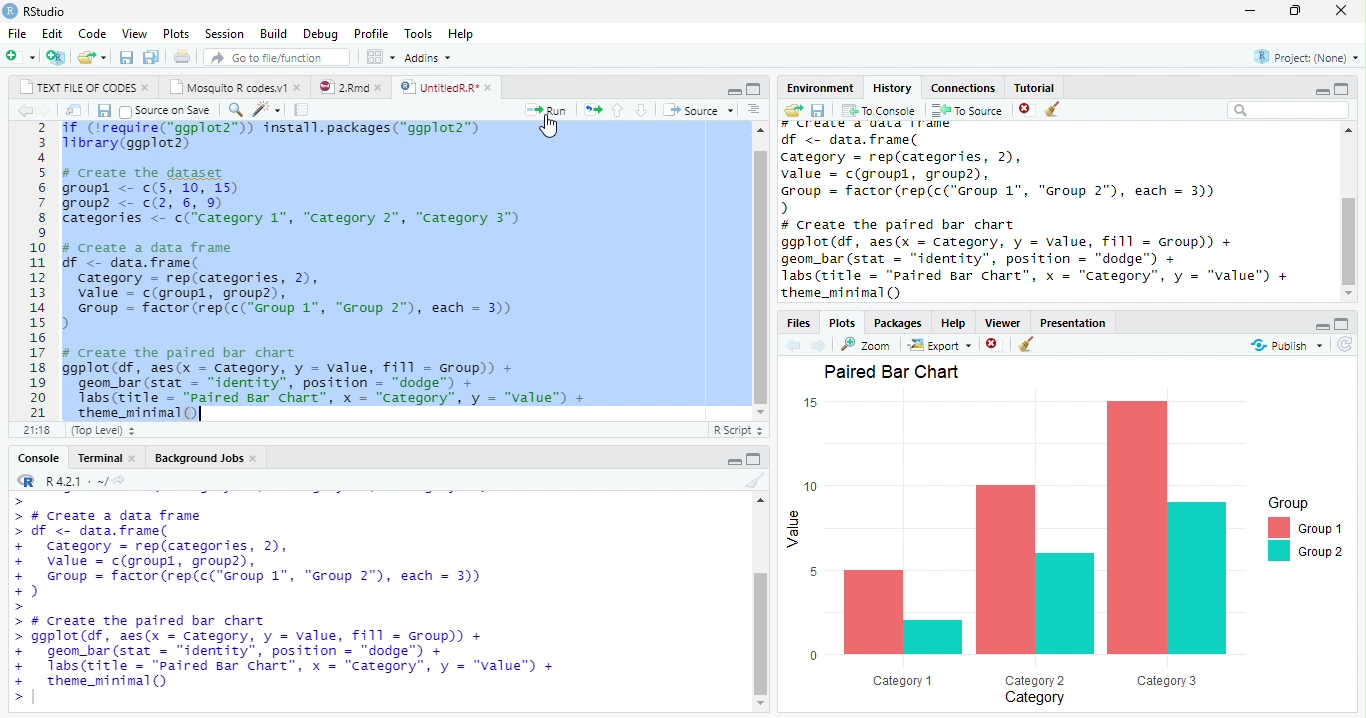  Describe the element at coordinates (1348, 240) in the screenshot. I see `scroll bar` at that location.